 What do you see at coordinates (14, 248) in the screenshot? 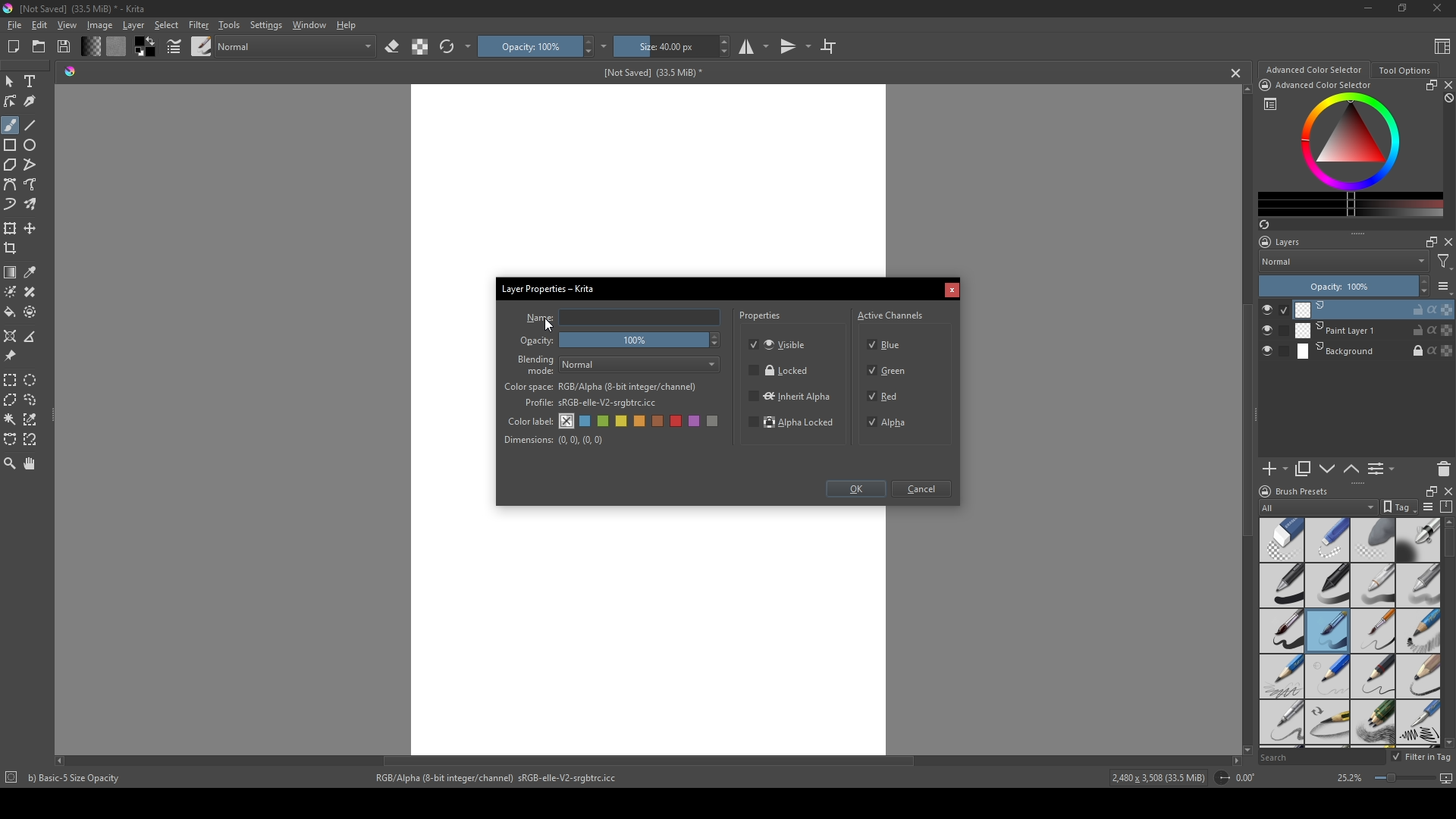
I see `crop` at bounding box center [14, 248].